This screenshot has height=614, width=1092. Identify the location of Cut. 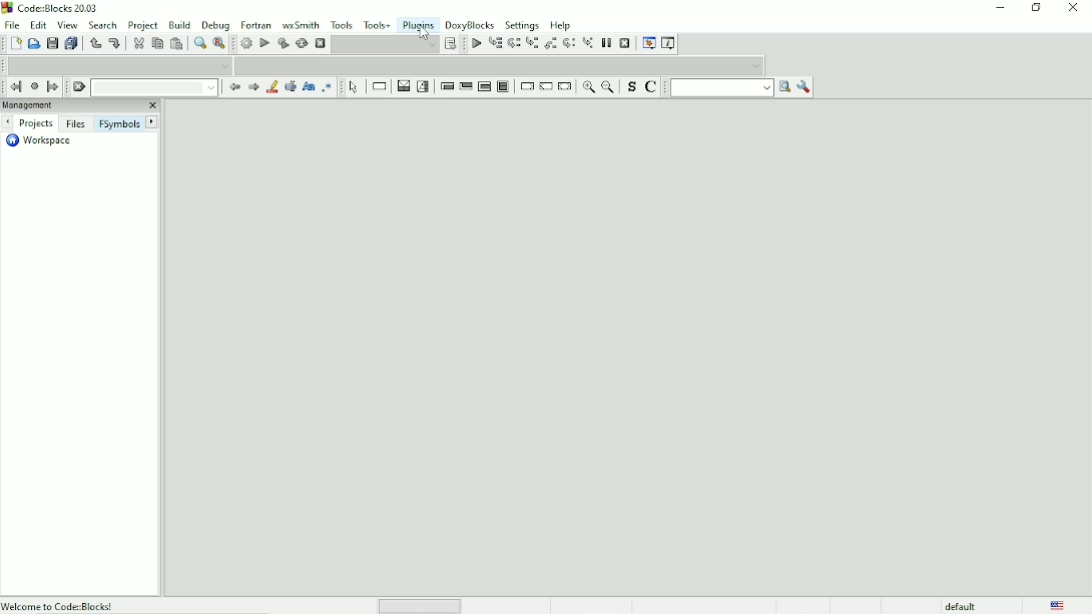
(137, 43).